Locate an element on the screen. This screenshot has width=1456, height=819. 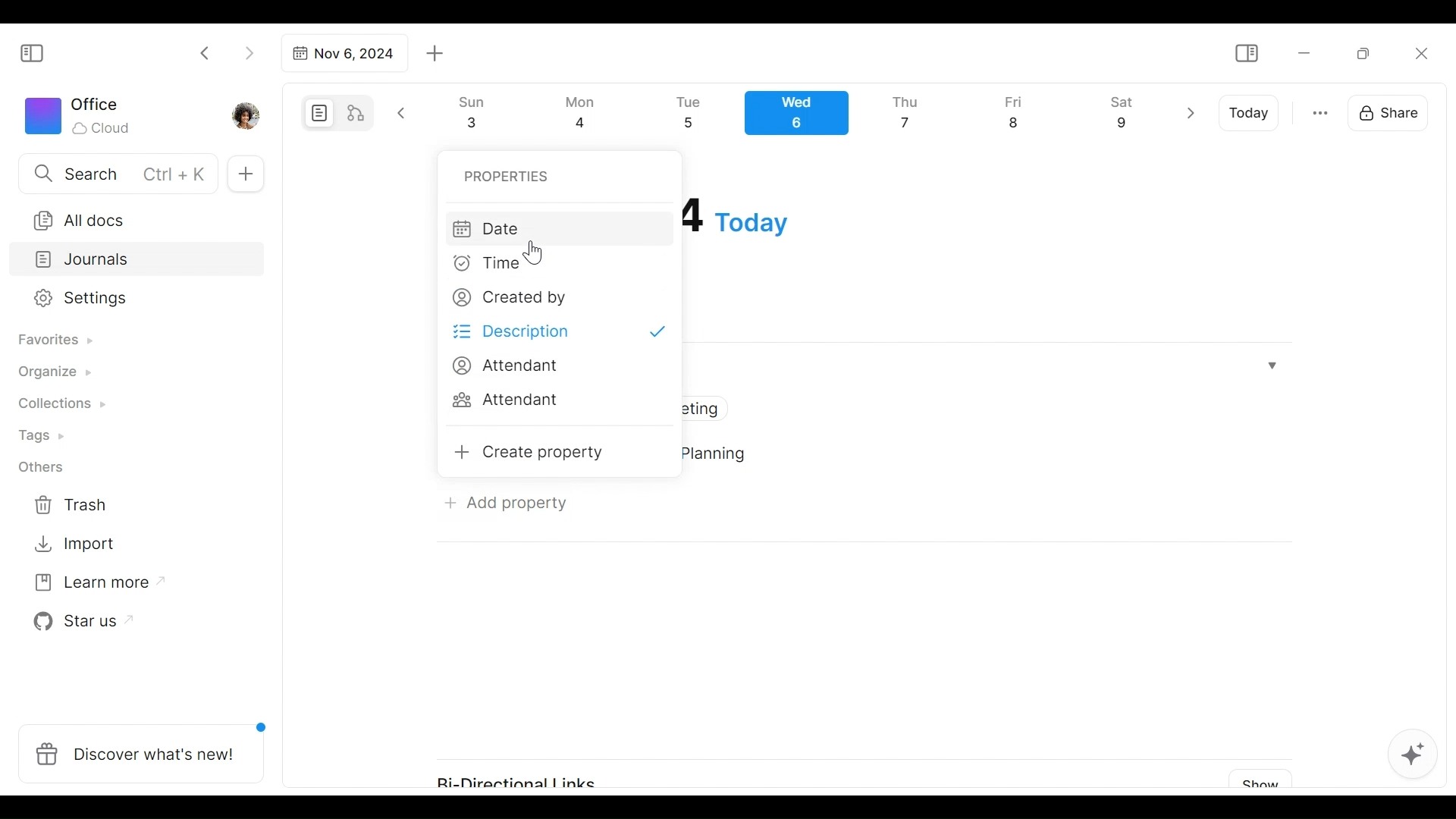
Attendant is located at coordinates (510, 402).